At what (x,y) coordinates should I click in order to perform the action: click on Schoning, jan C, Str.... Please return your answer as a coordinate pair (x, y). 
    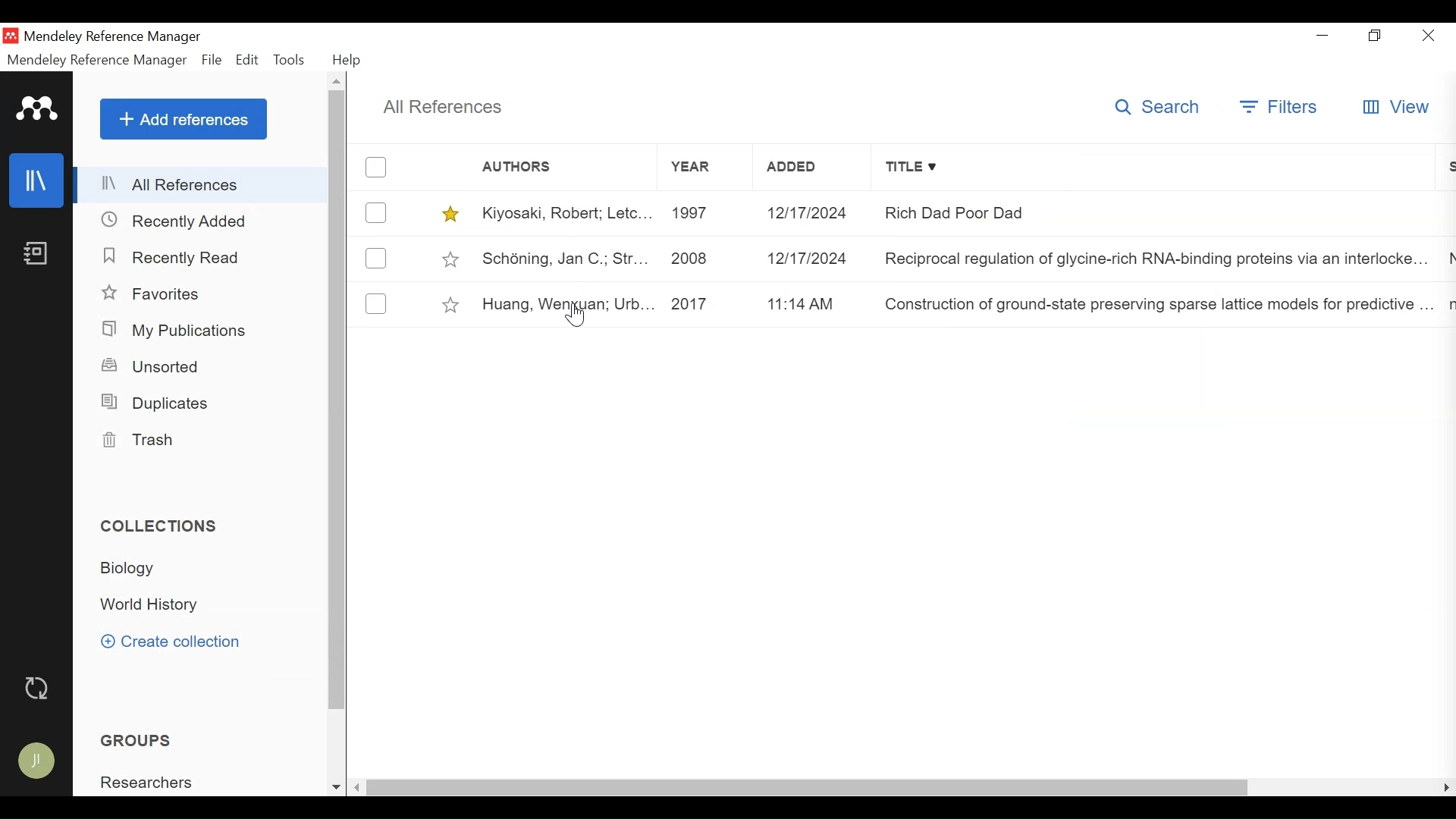
    Looking at the image, I should click on (559, 257).